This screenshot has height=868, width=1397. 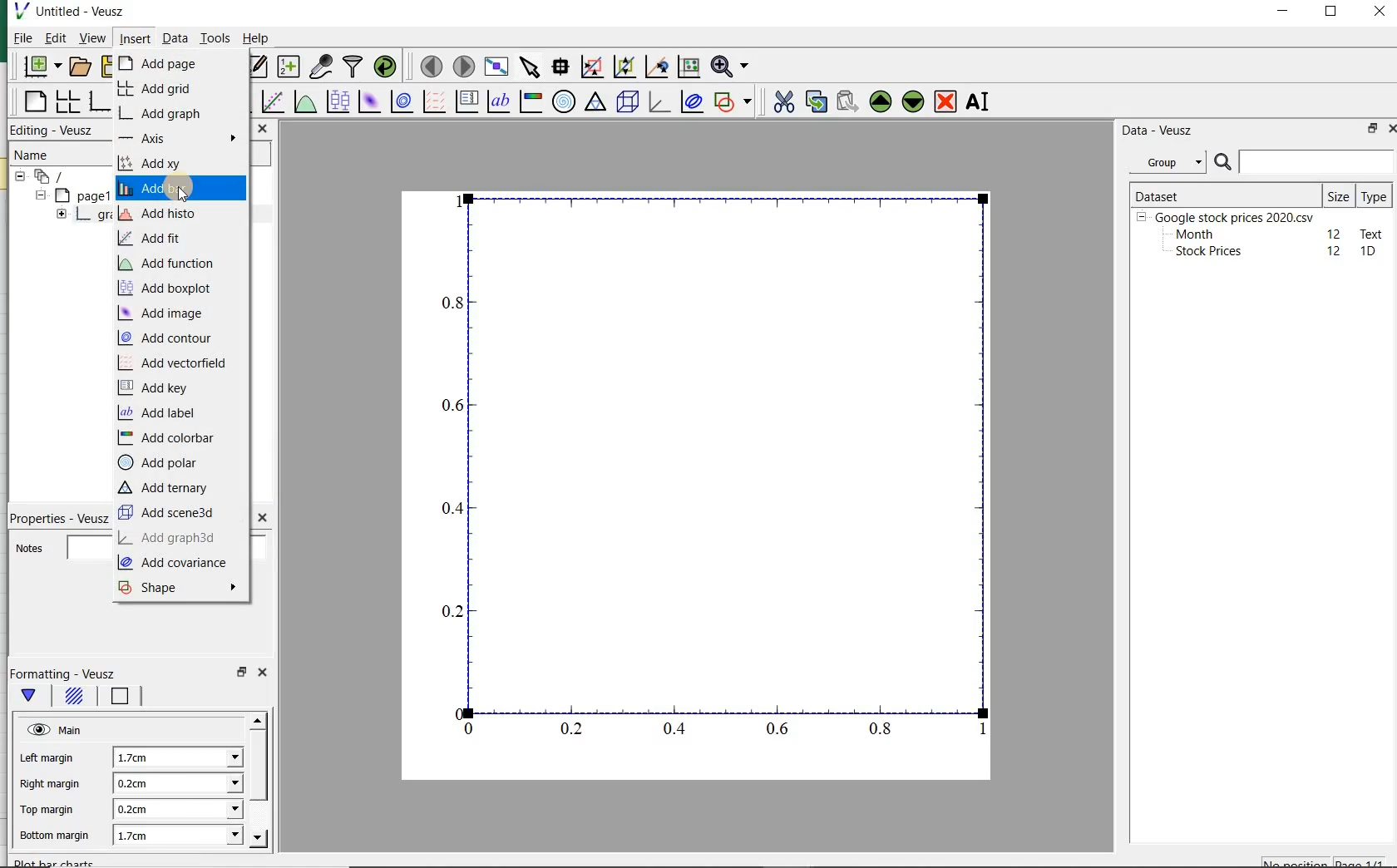 What do you see at coordinates (815, 102) in the screenshot?
I see `copy the selected widget` at bounding box center [815, 102].